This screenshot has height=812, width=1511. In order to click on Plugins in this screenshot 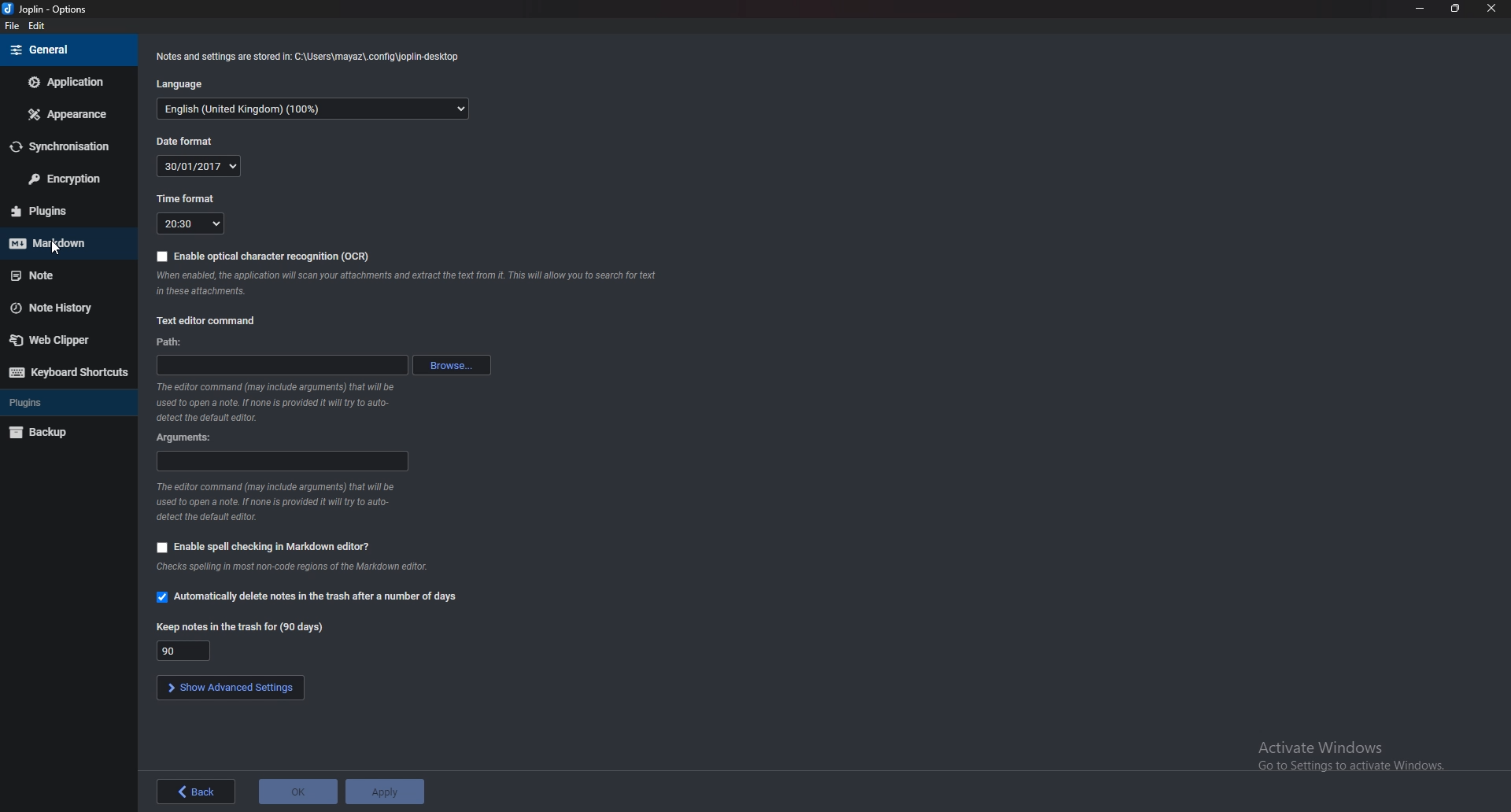, I will do `click(58, 211)`.